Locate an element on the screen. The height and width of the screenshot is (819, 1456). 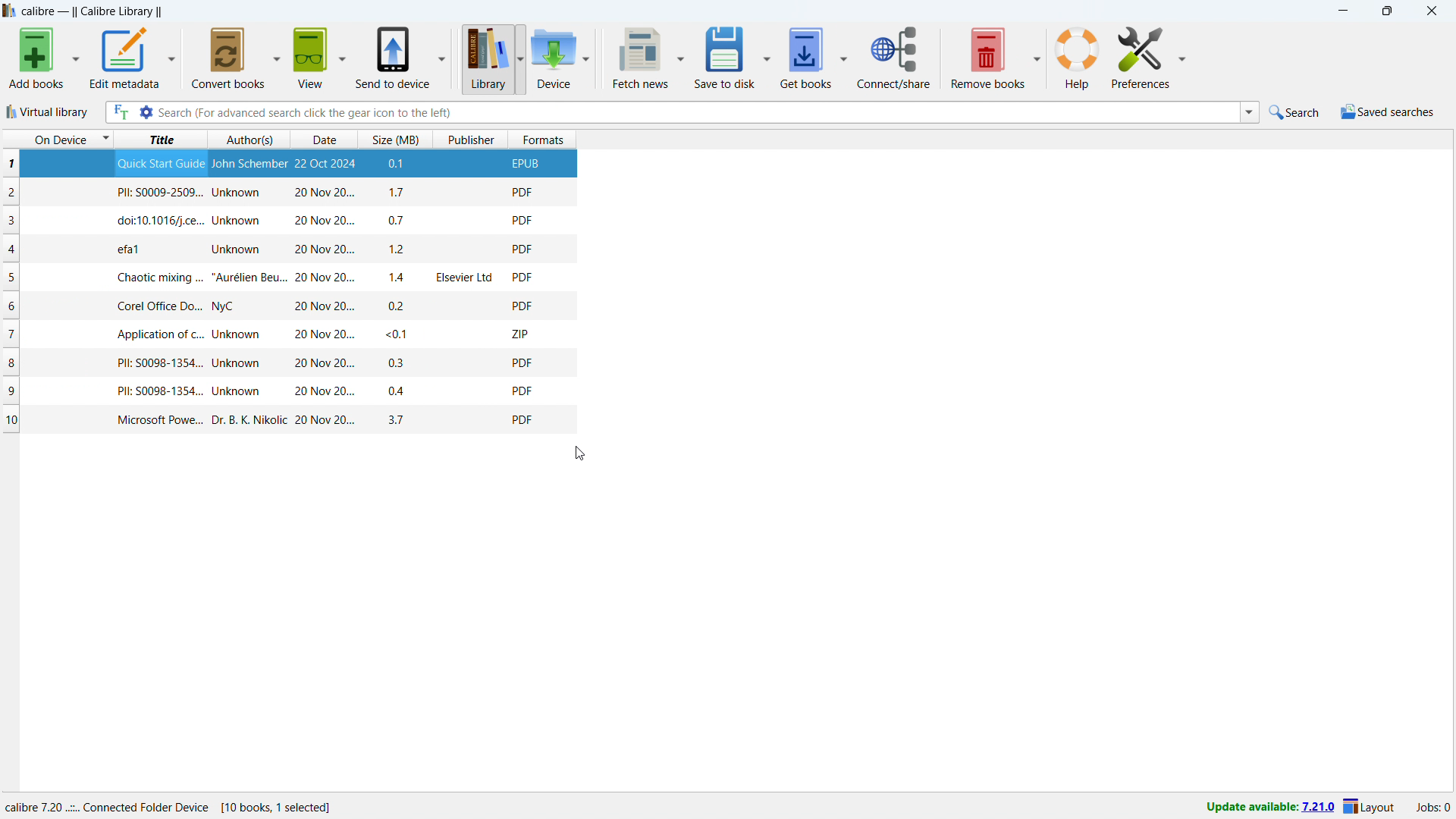
 is located at coordinates (588, 58).